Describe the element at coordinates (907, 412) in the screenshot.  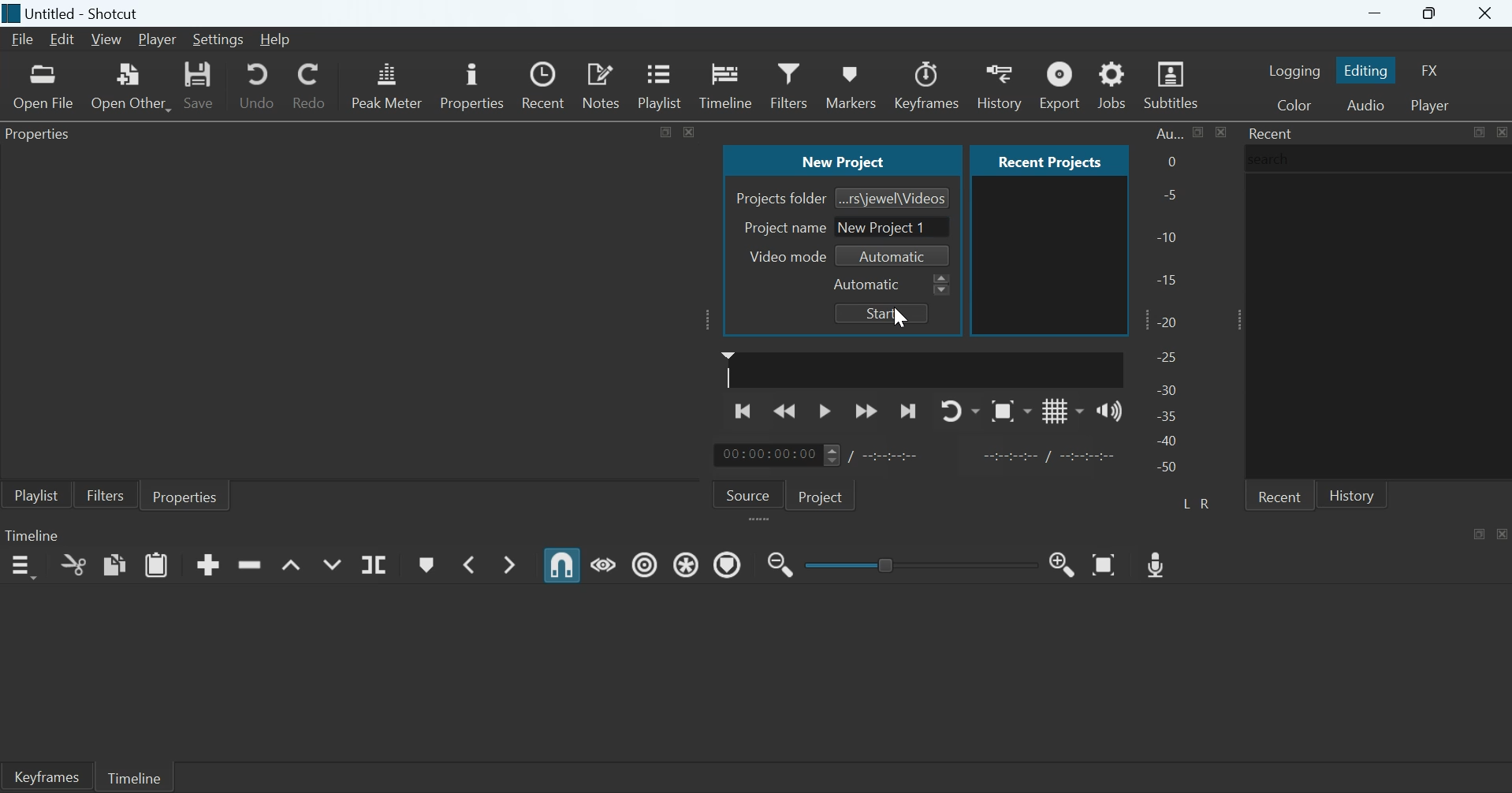
I see `Skip to the next point` at that location.